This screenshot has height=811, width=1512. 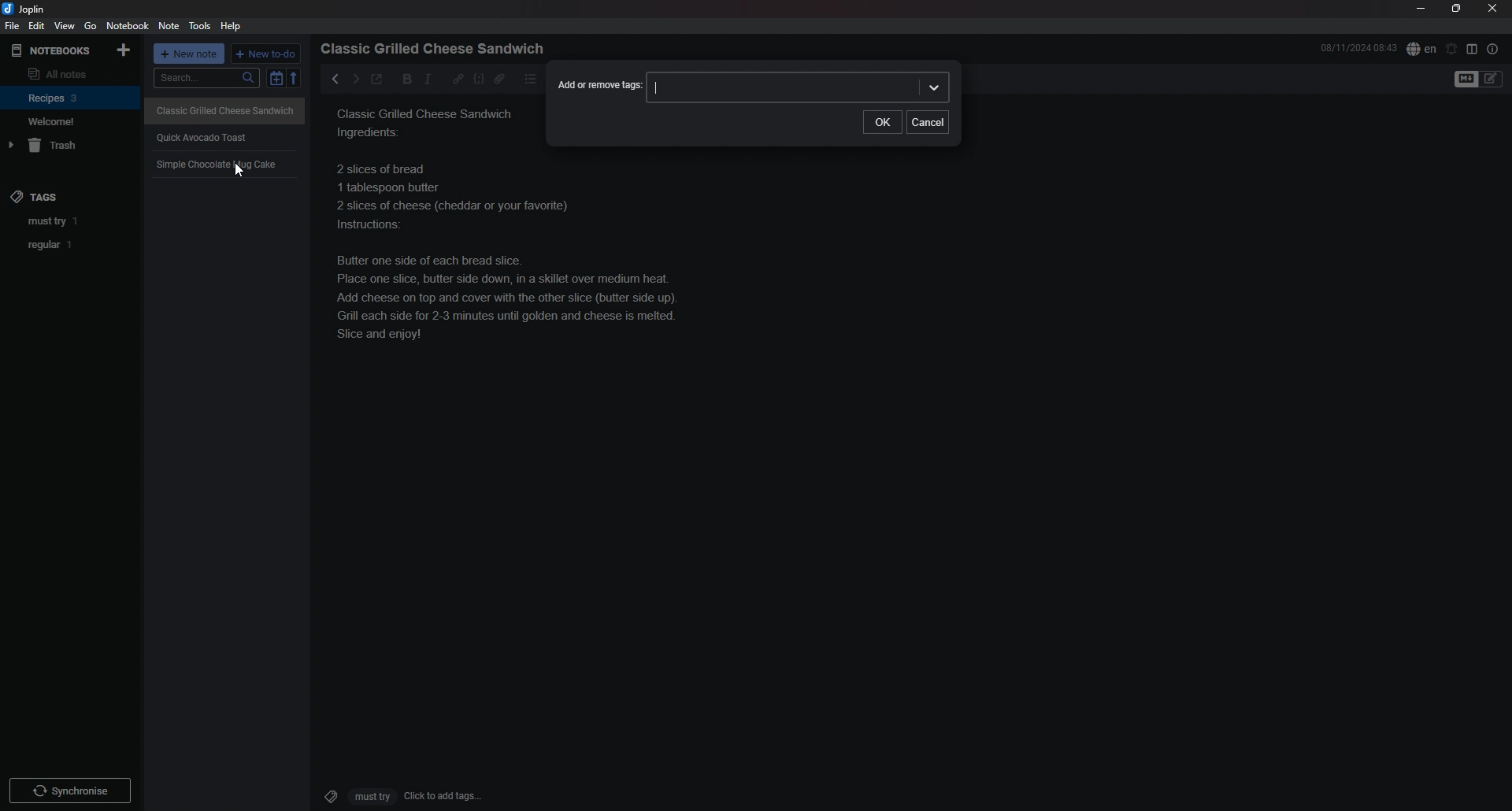 I want to click on toggle editor layout, so click(x=1473, y=49).